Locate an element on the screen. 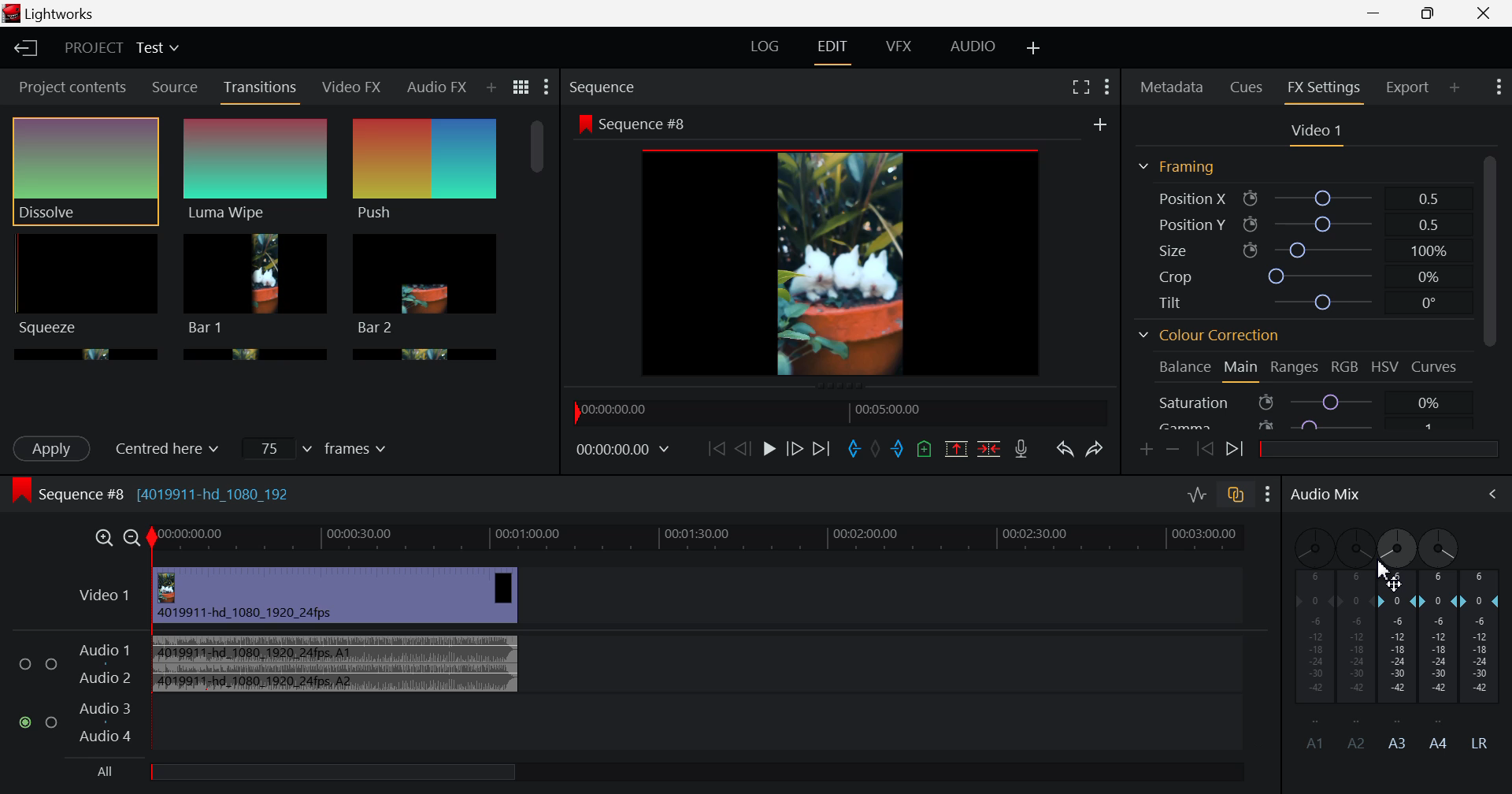  Toggle audio levels editing is located at coordinates (1196, 497).